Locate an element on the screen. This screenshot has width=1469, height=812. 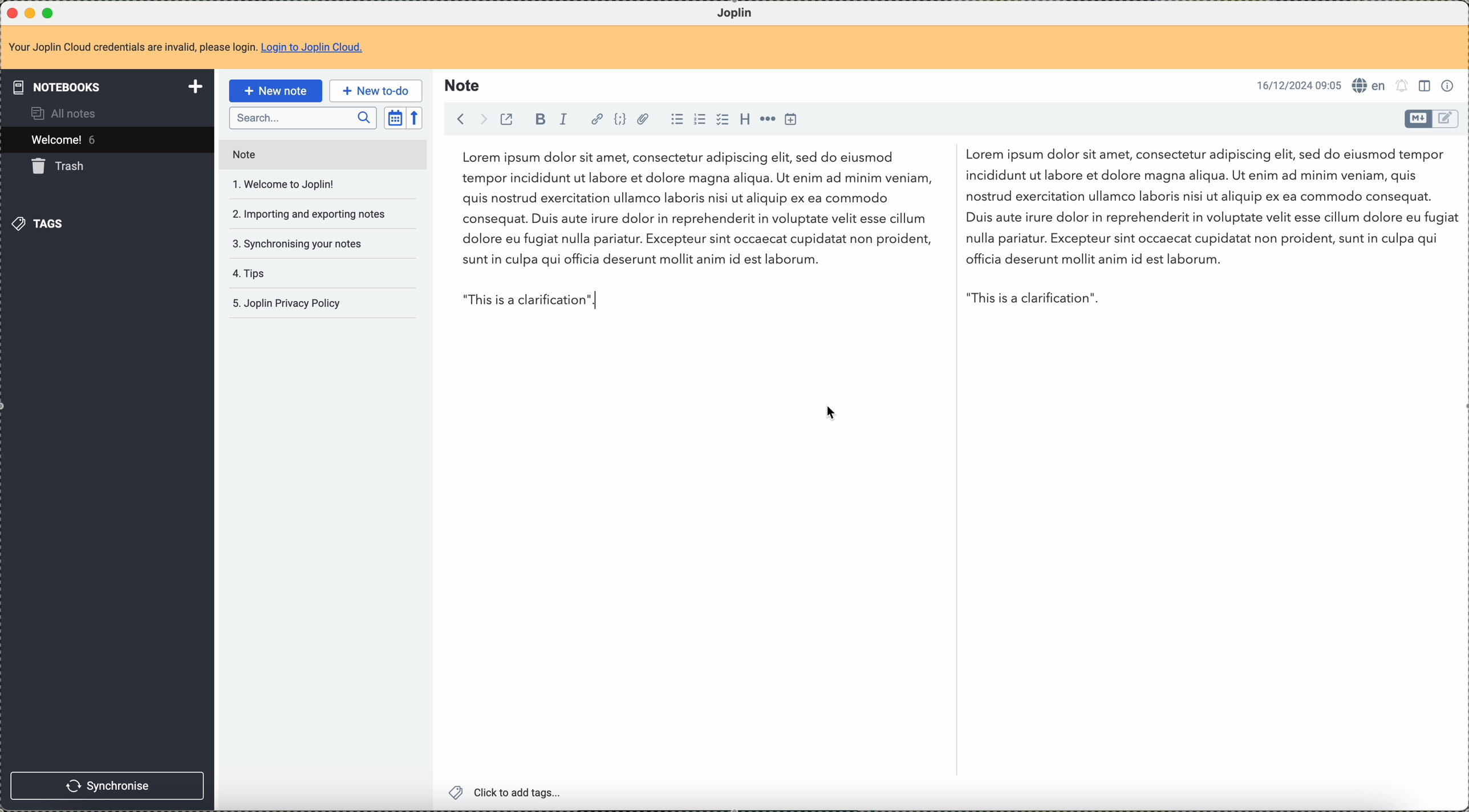
italic is located at coordinates (565, 119).